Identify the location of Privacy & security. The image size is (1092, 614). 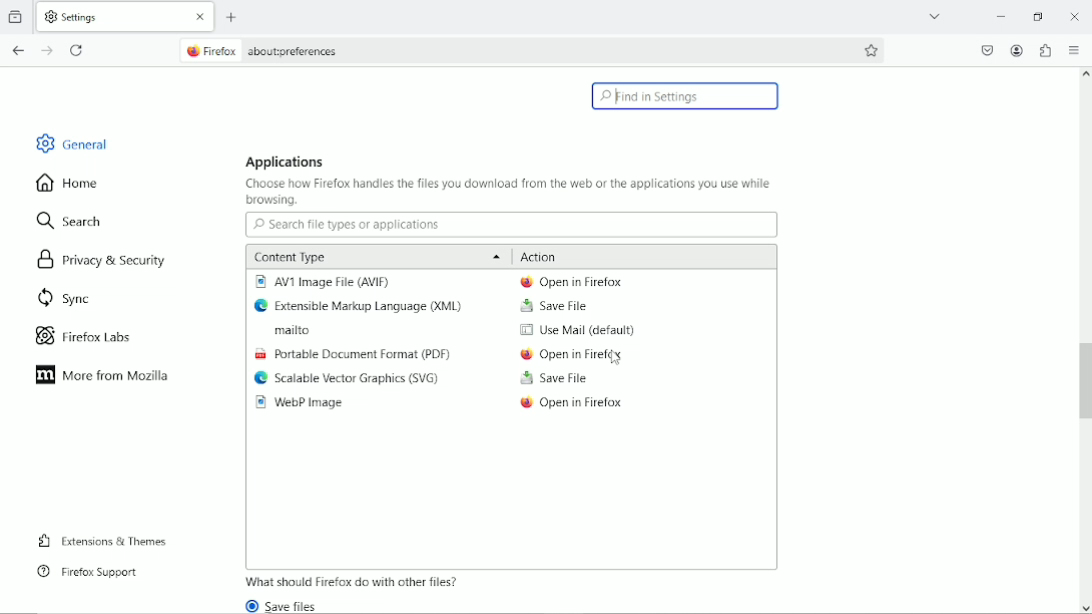
(105, 263).